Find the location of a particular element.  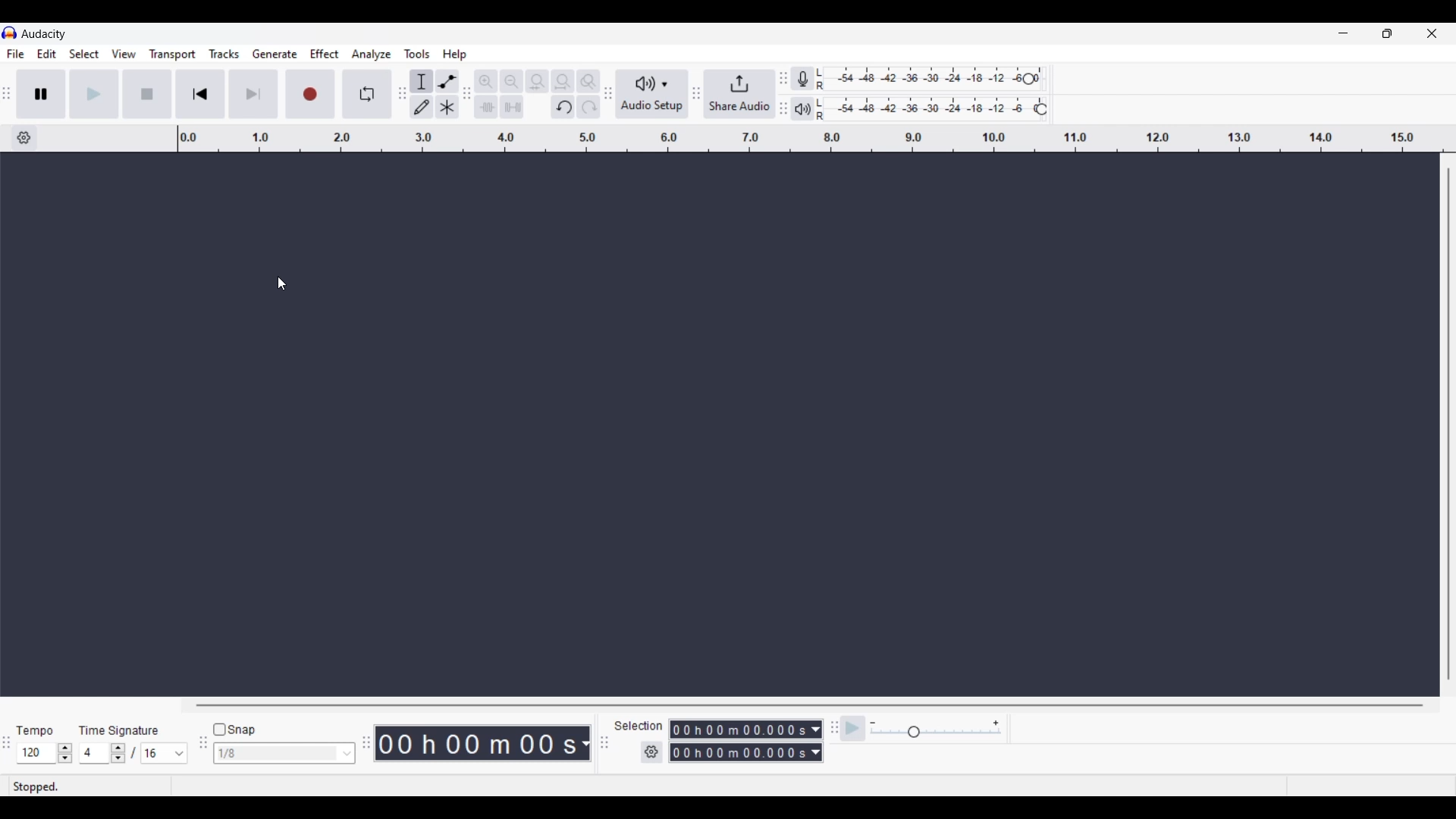

Software name is located at coordinates (44, 33).